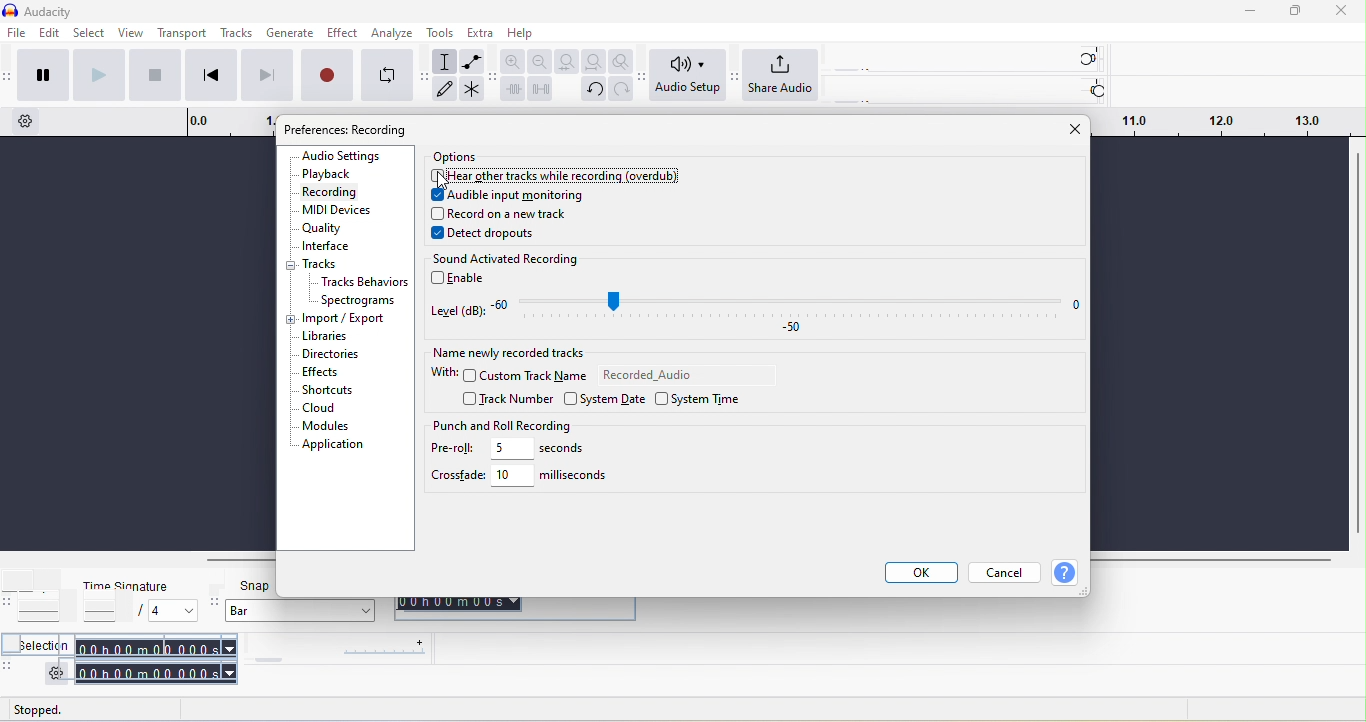 The width and height of the screenshot is (1366, 722). What do you see at coordinates (139, 600) in the screenshot?
I see `time signature` at bounding box center [139, 600].